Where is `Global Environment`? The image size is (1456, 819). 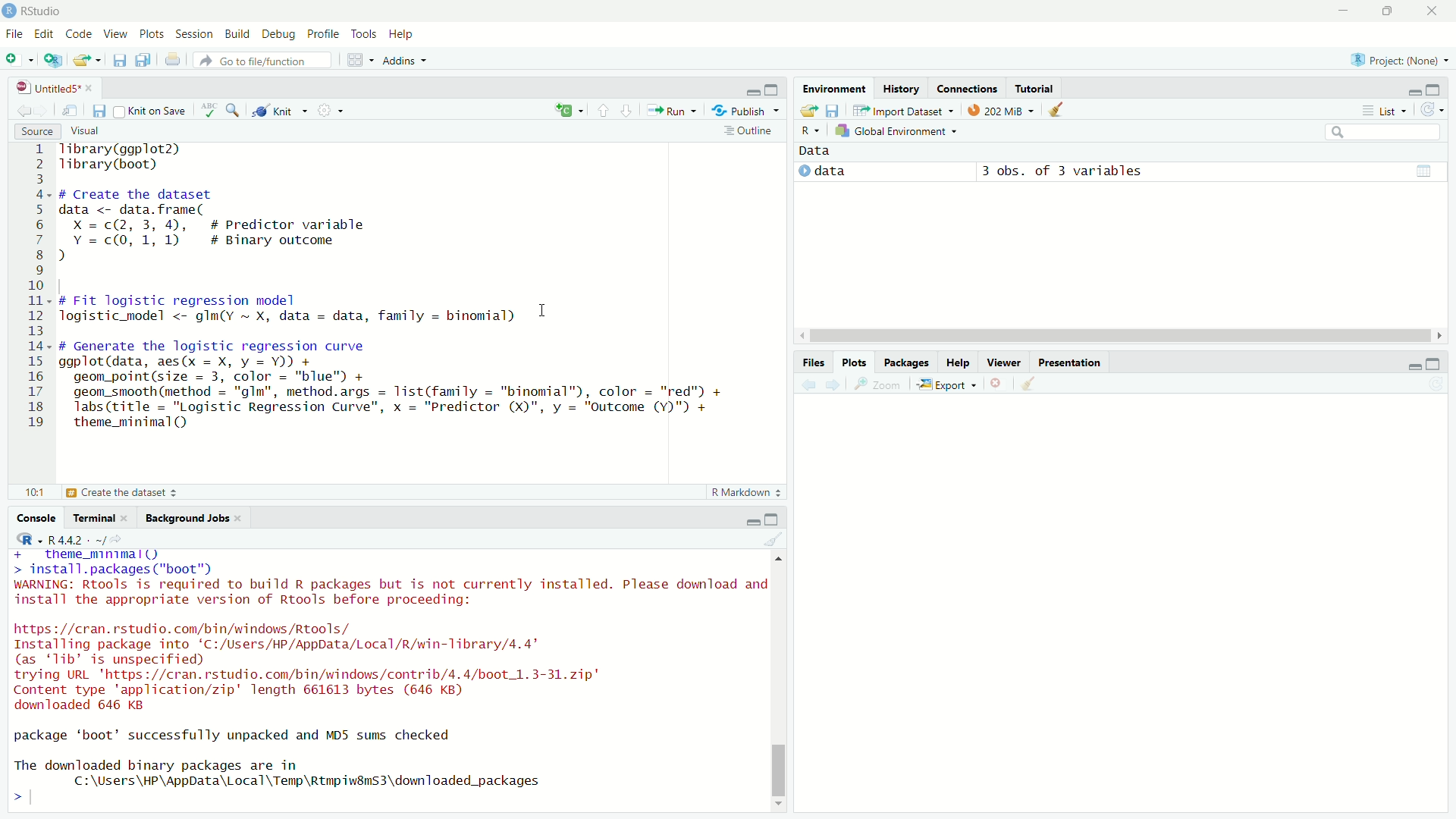 Global Environment is located at coordinates (896, 130).